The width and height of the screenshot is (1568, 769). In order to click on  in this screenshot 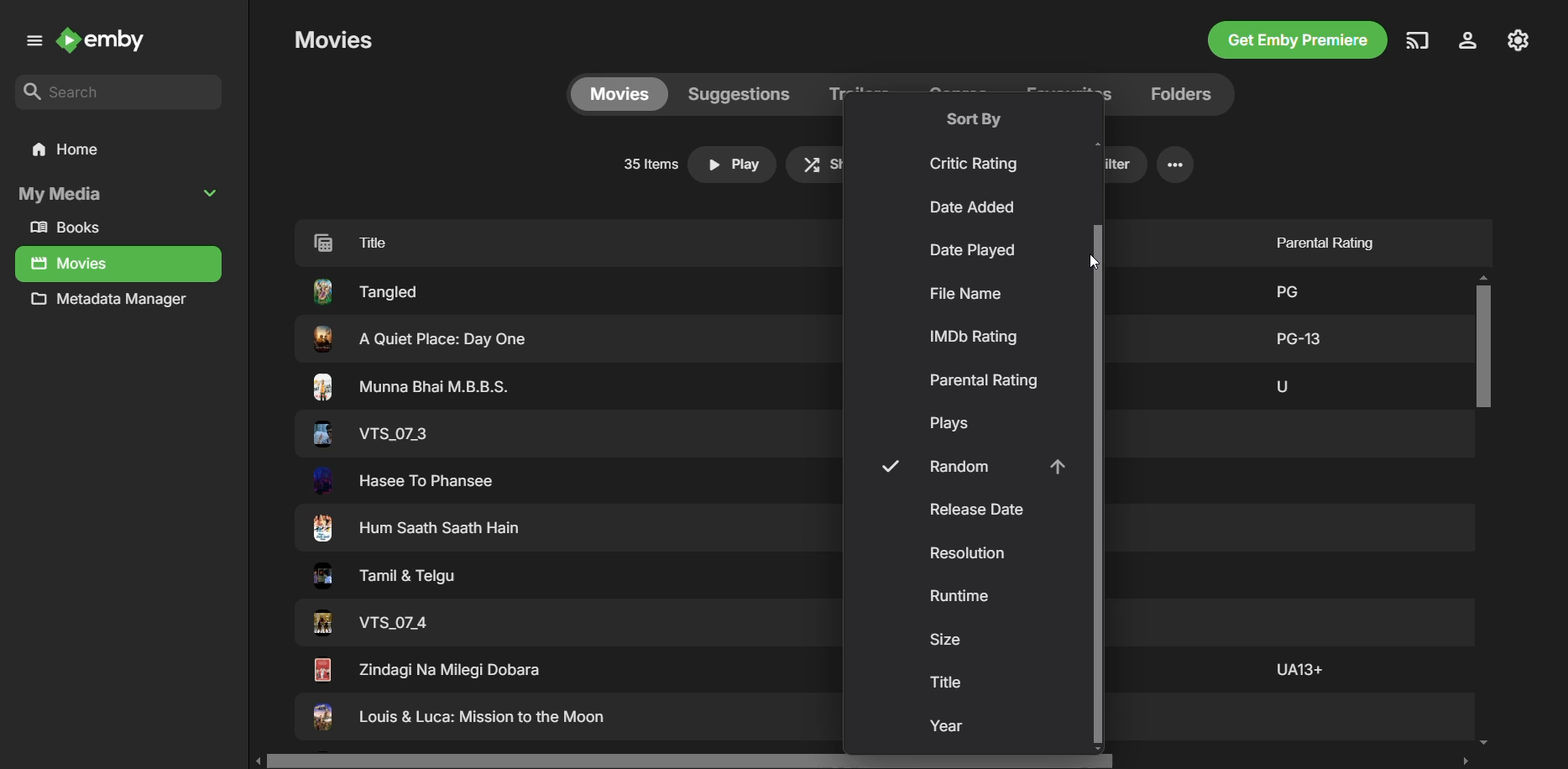, I will do `click(379, 578)`.